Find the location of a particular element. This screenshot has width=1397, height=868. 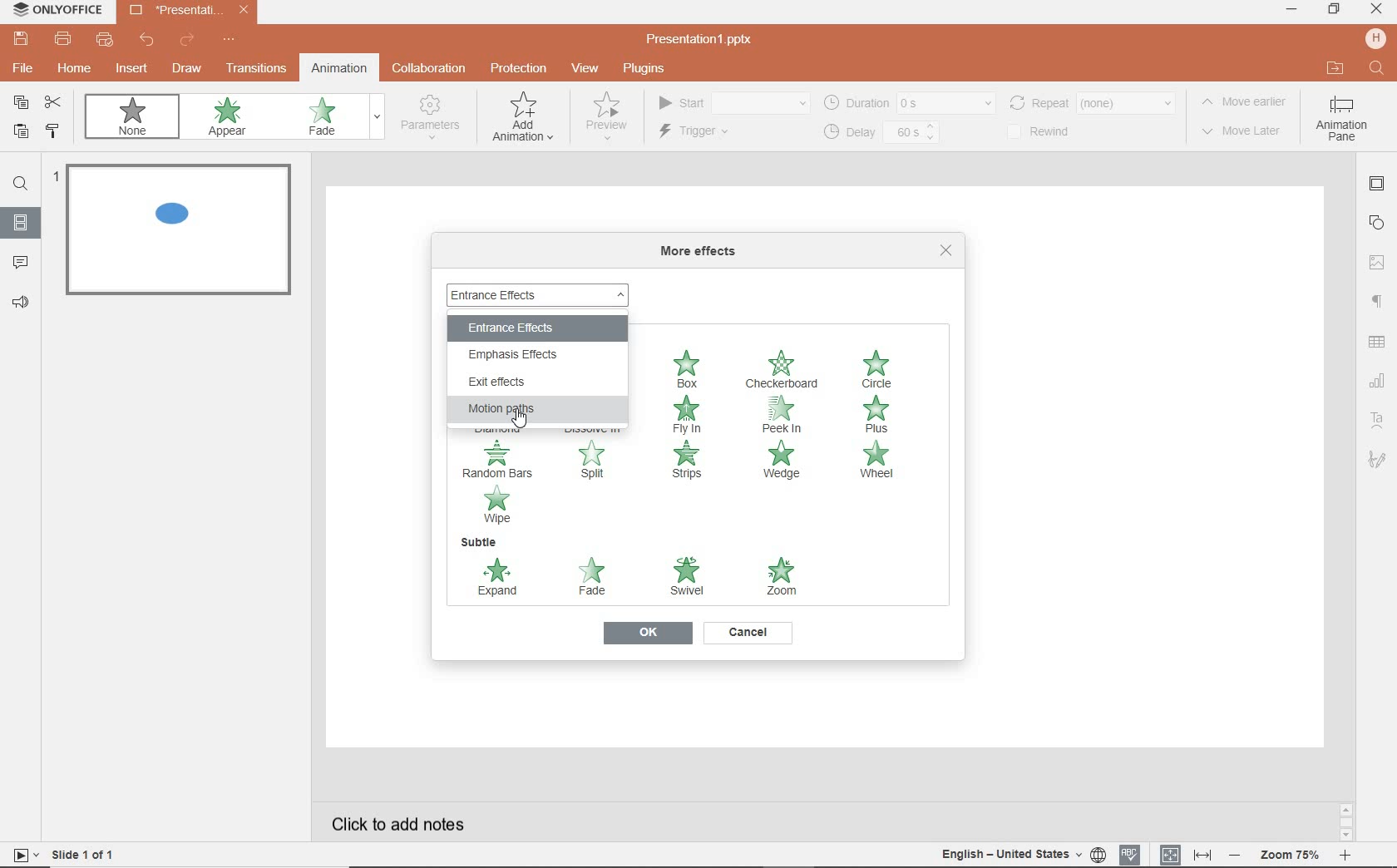

STRIPS is located at coordinates (684, 461).